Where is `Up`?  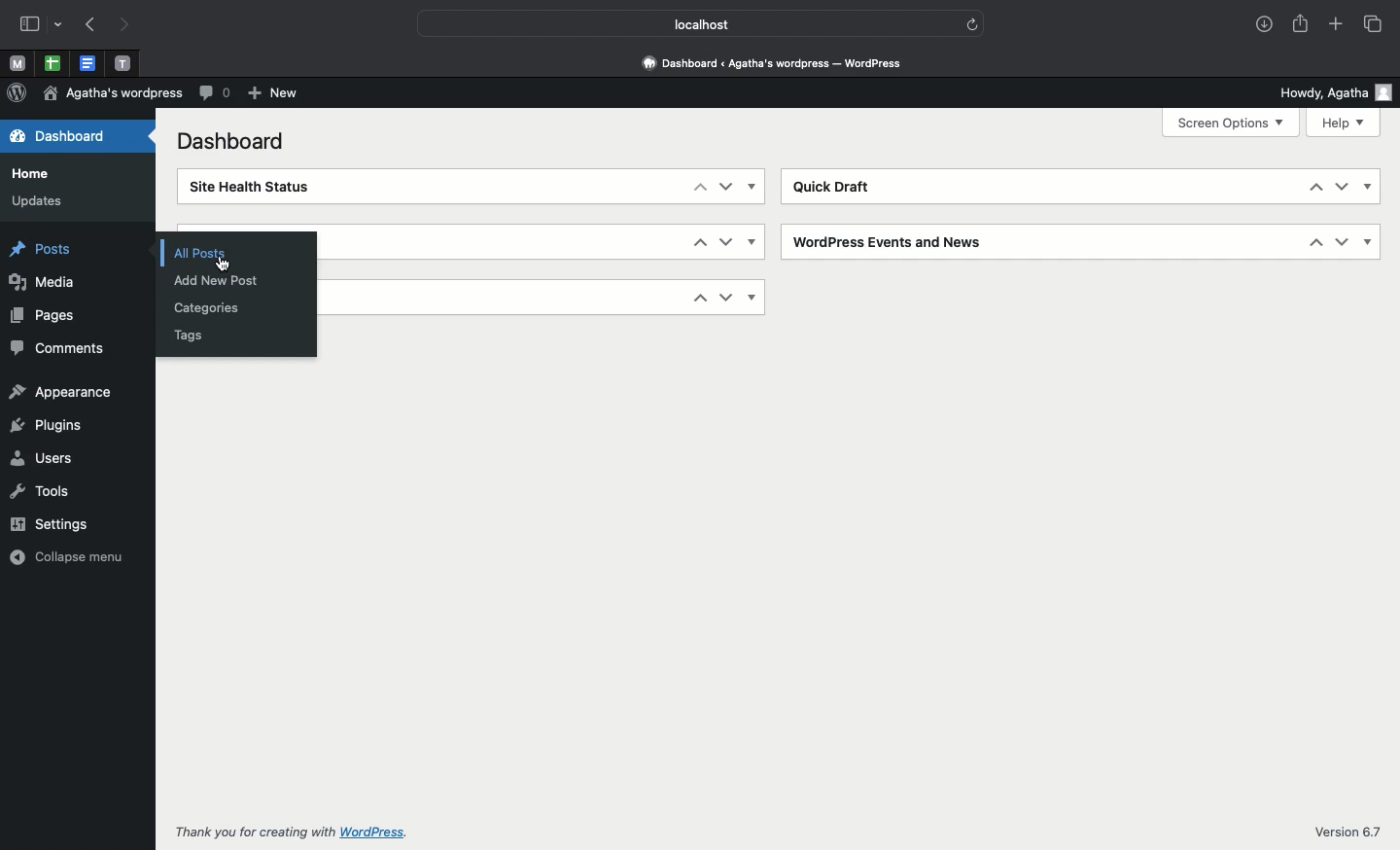
Up is located at coordinates (692, 242).